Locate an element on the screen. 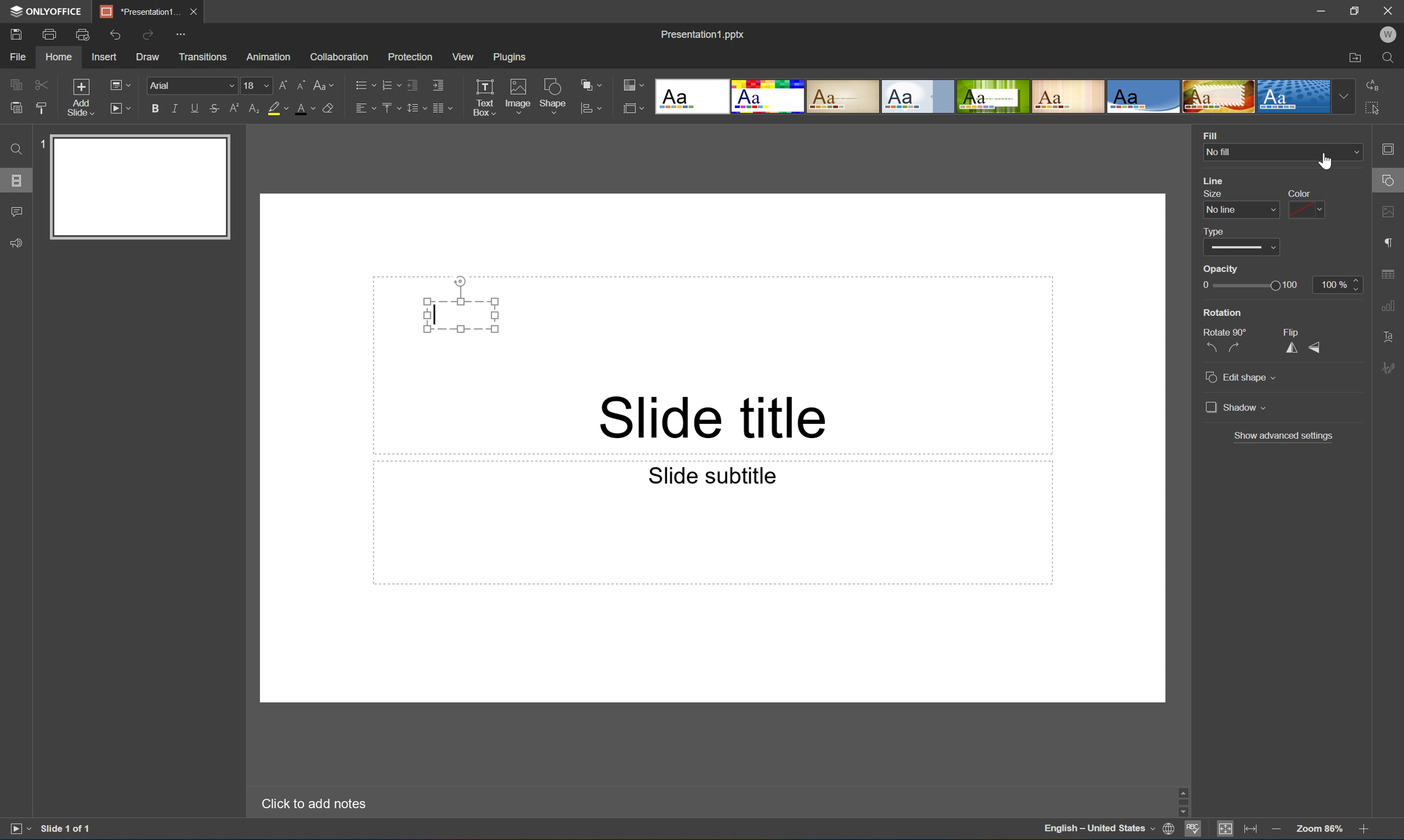  Color is located at coordinates (1300, 193).